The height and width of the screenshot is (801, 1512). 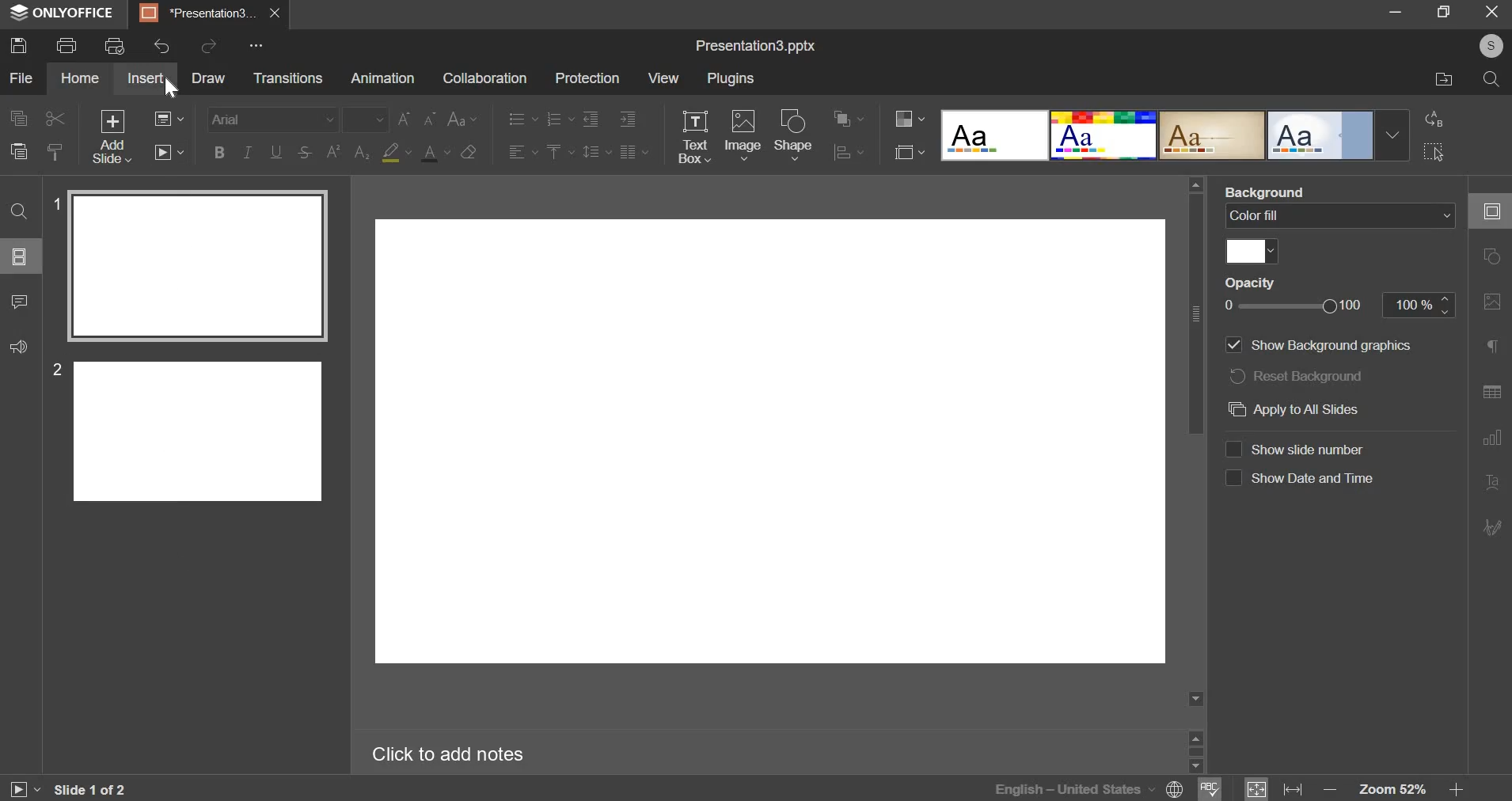 What do you see at coordinates (1491, 256) in the screenshot?
I see `Shape settings` at bounding box center [1491, 256].